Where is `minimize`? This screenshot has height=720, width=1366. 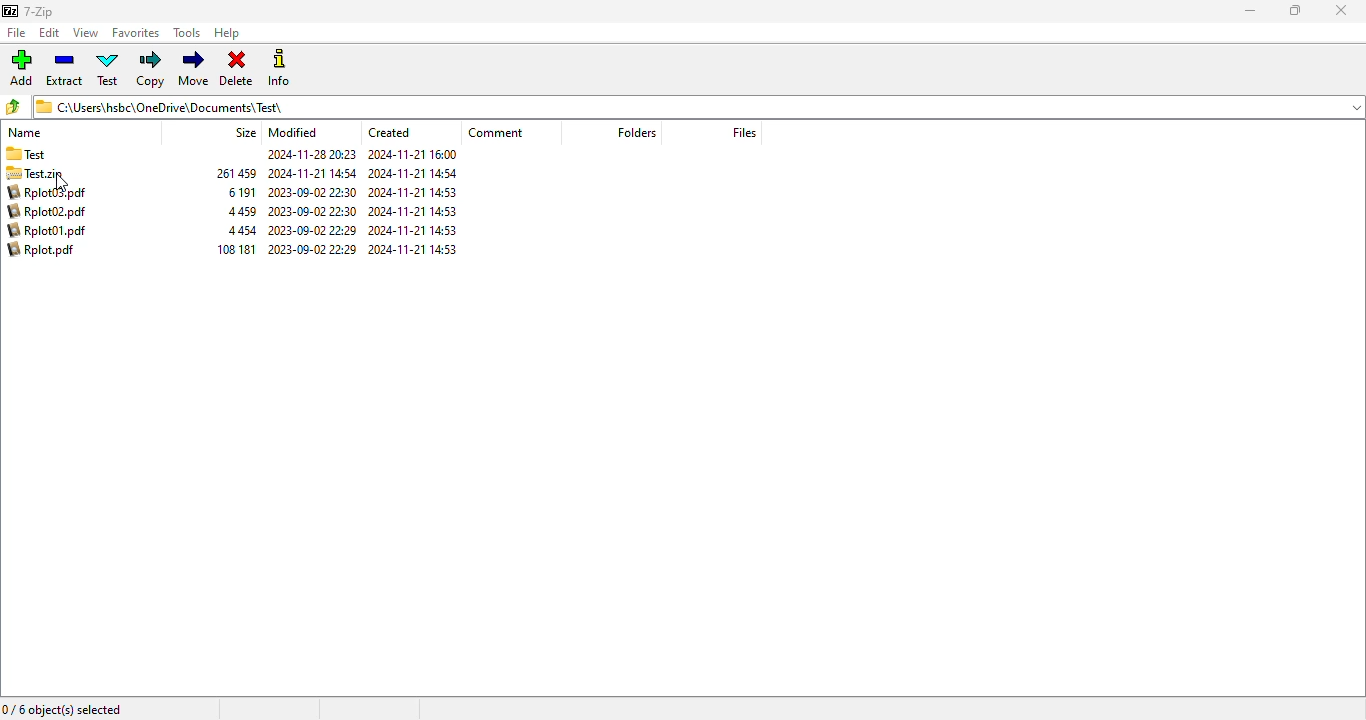
minimize is located at coordinates (1251, 11).